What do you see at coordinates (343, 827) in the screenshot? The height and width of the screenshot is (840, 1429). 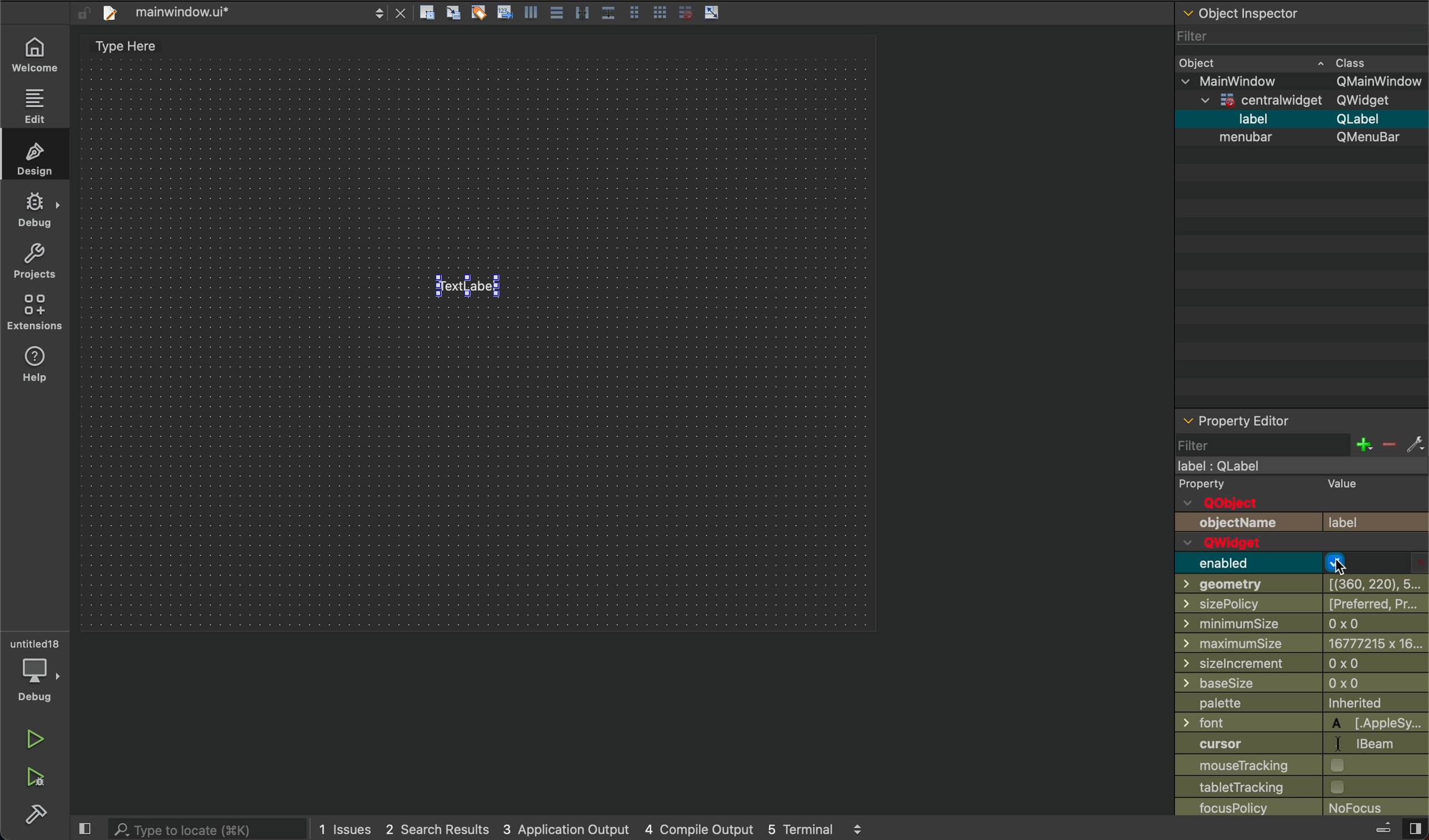 I see `1 issues` at bounding box center [343, 827].